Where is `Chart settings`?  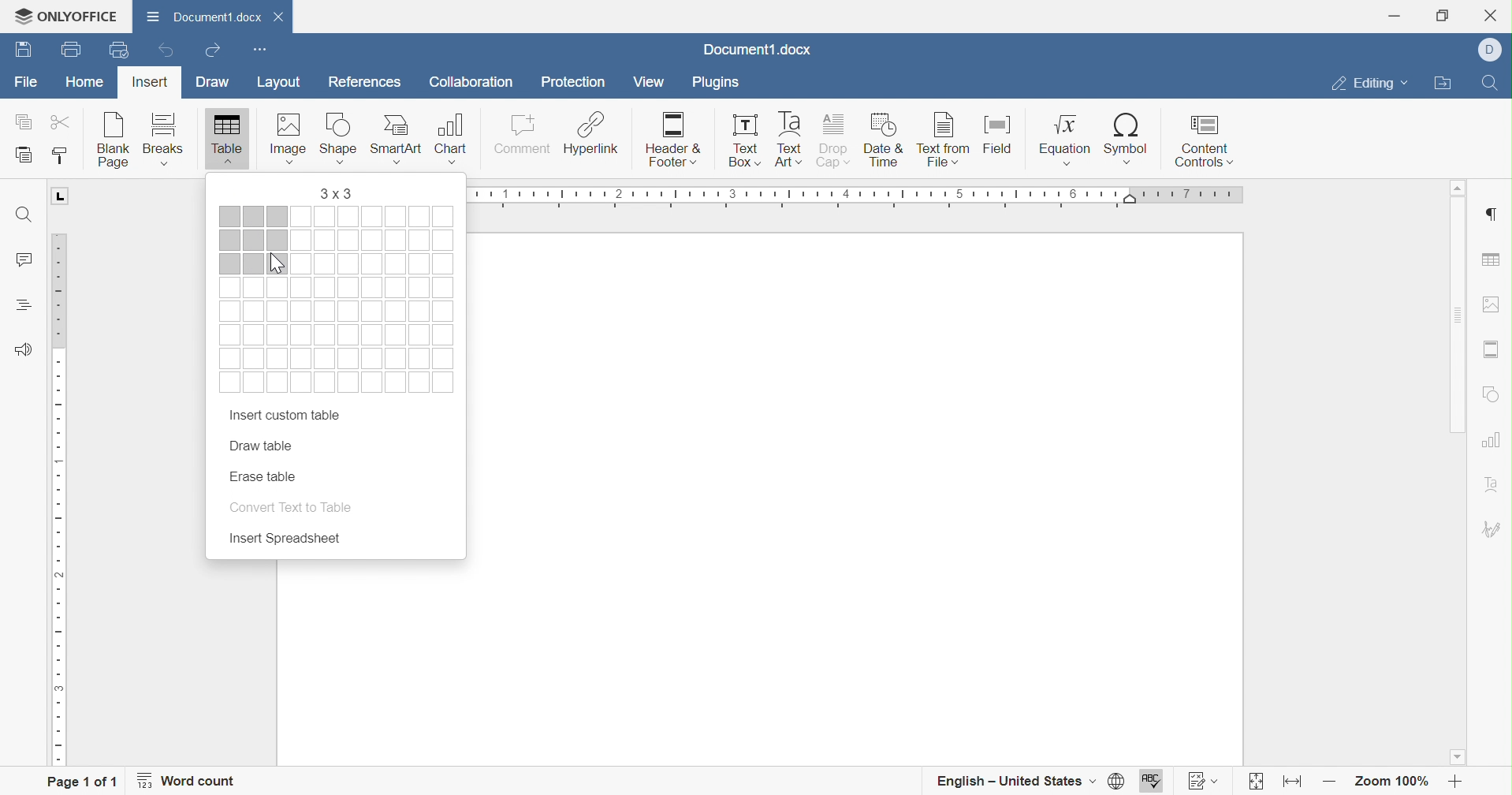
Chart settings is located at coordinates (1490, 439).